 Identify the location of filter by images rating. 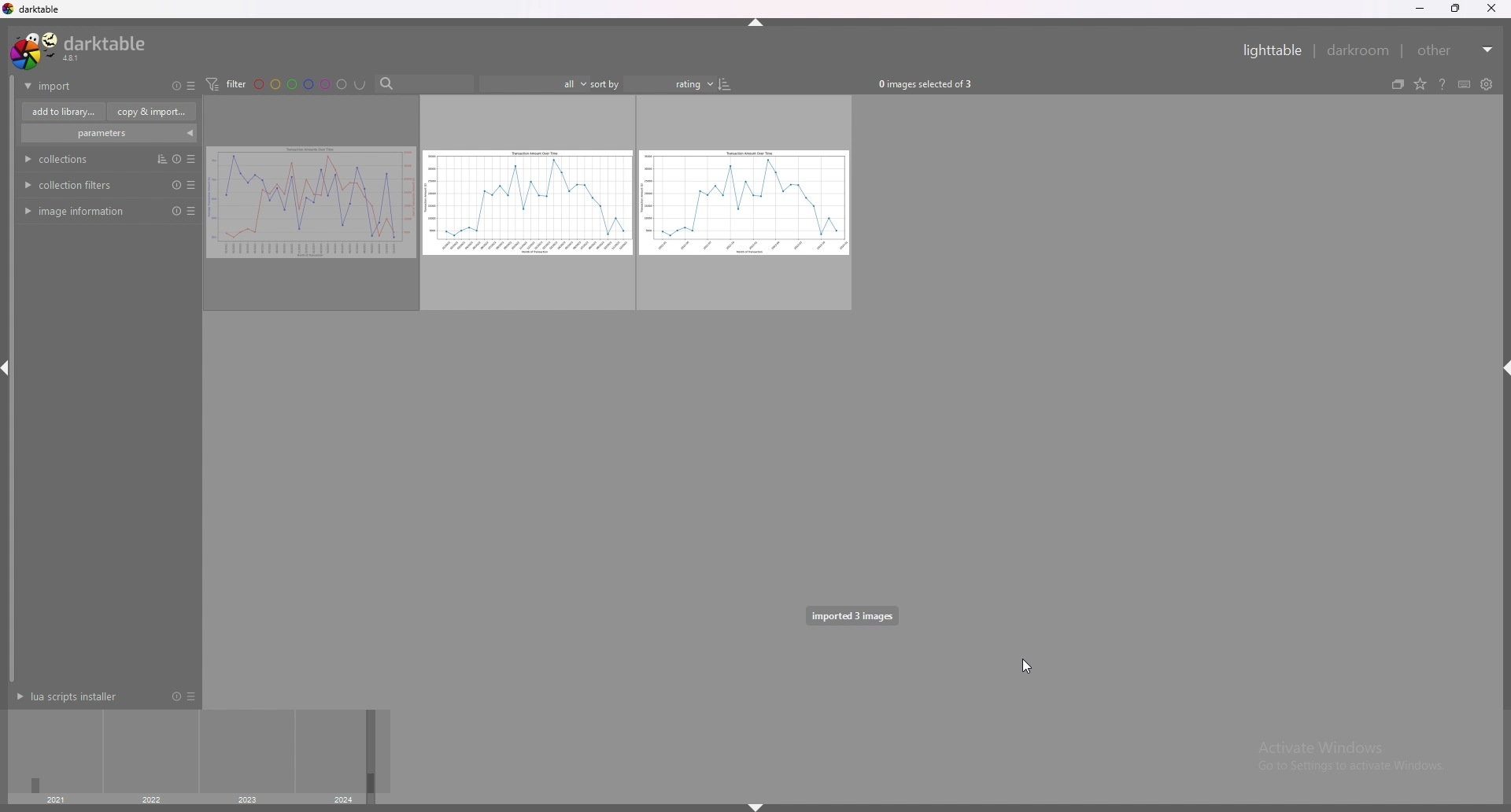
(532, 84).